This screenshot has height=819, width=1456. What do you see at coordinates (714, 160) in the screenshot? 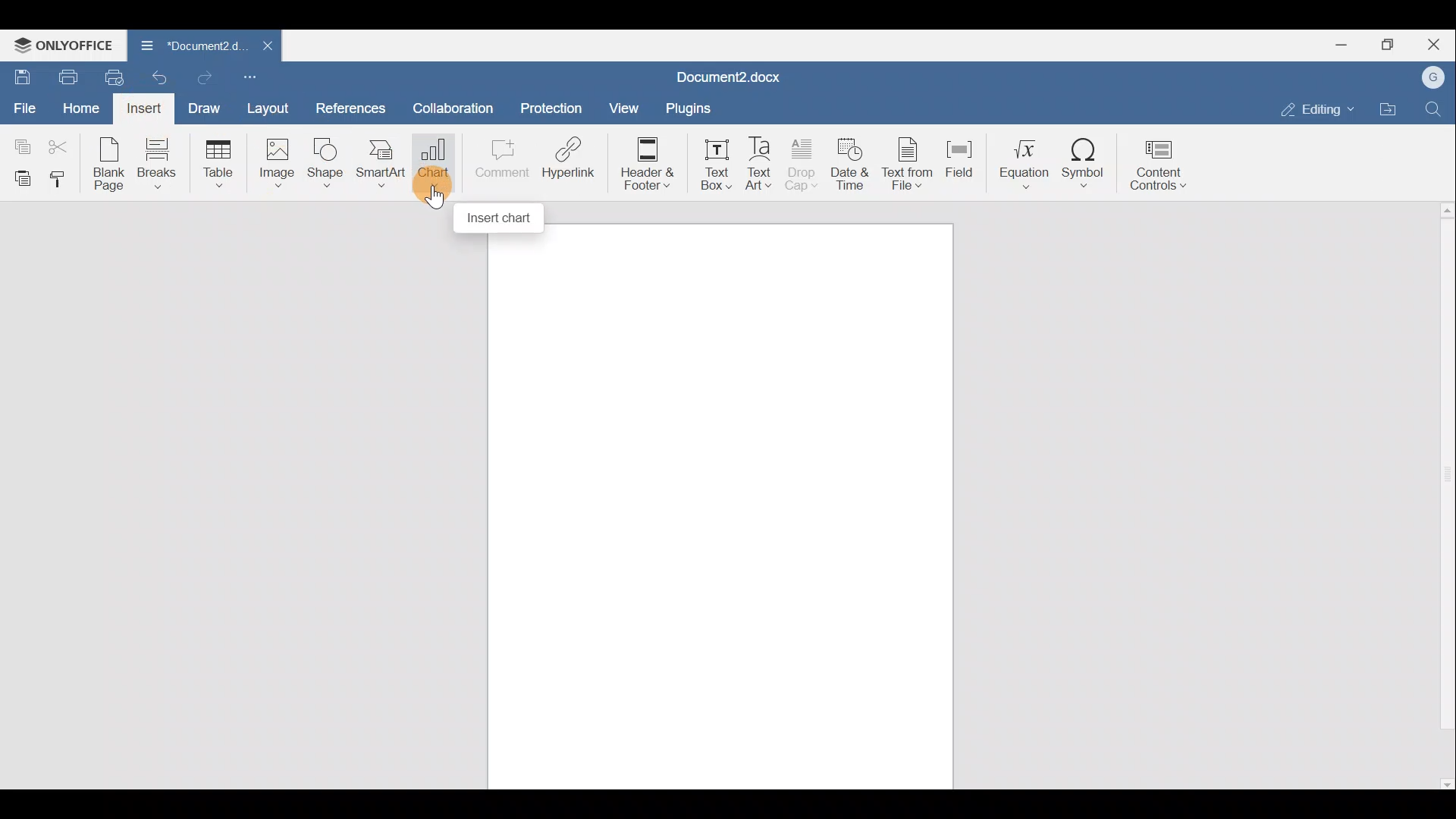
I see `Text box` at bounding box center [714, 160].